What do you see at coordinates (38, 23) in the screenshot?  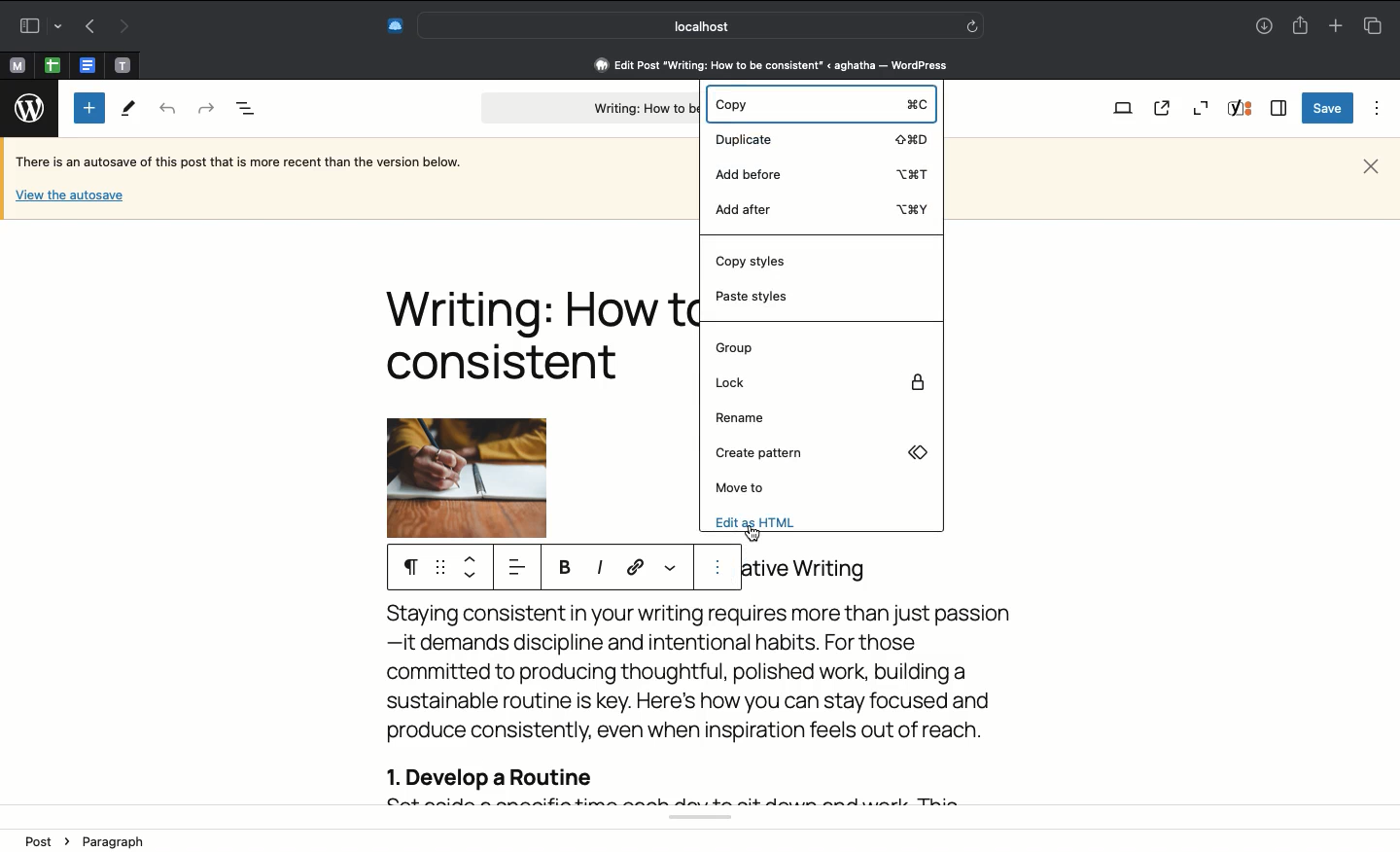 I see `Sidebar` at bounding box center [38, 23].